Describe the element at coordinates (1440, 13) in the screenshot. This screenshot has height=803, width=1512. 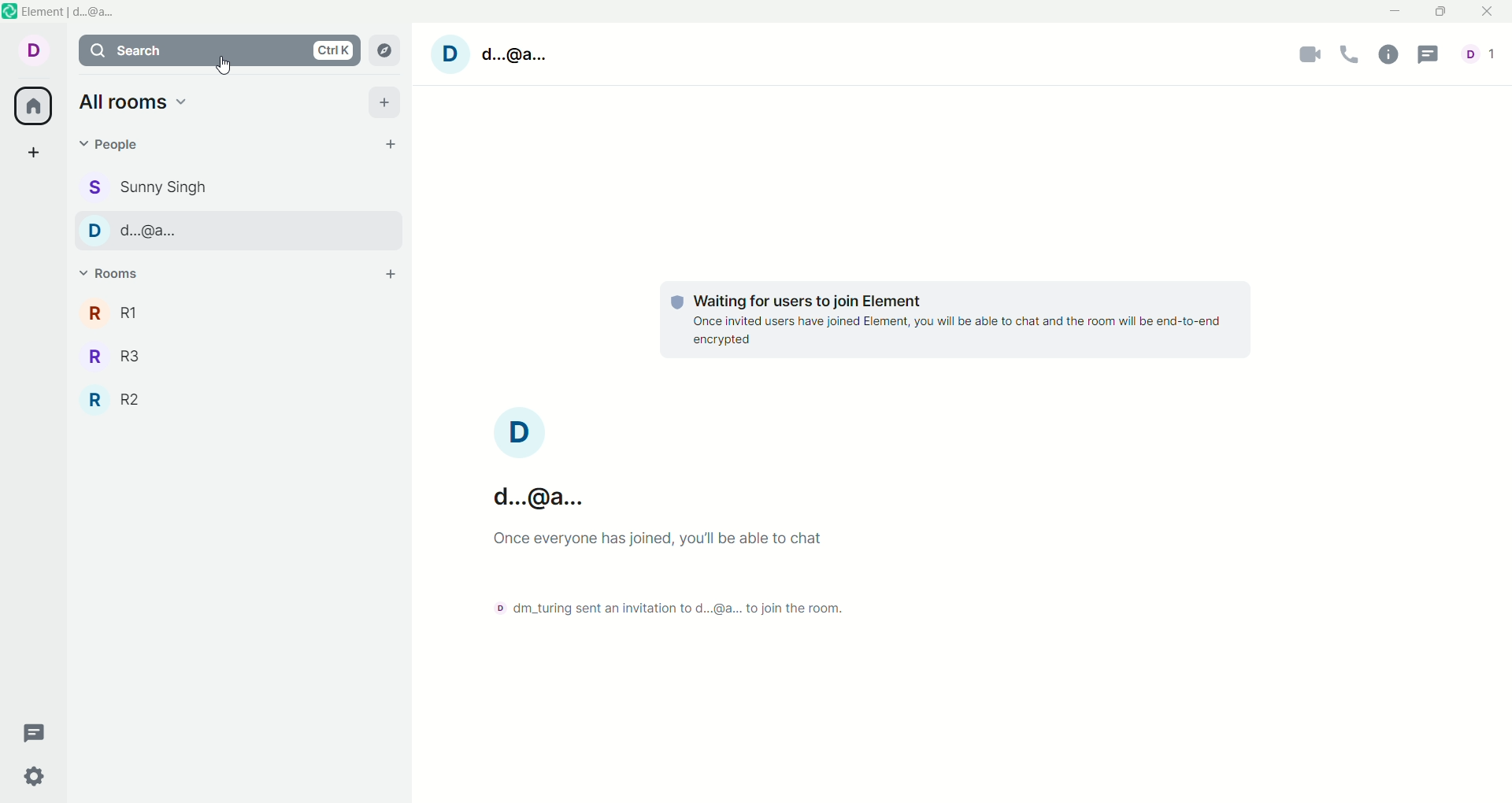
I see `maximize` at that location.